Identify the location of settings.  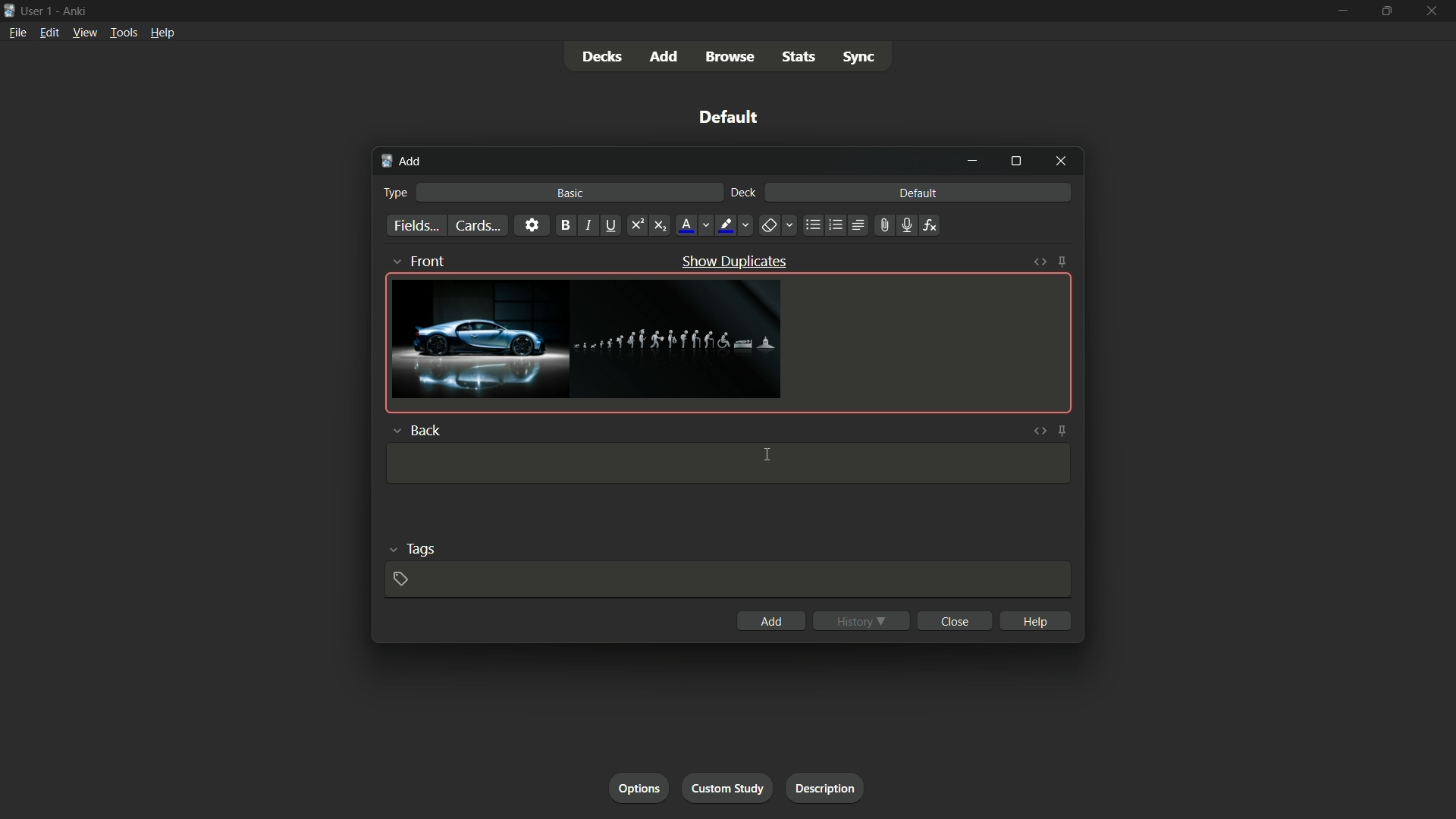
(531, 224).